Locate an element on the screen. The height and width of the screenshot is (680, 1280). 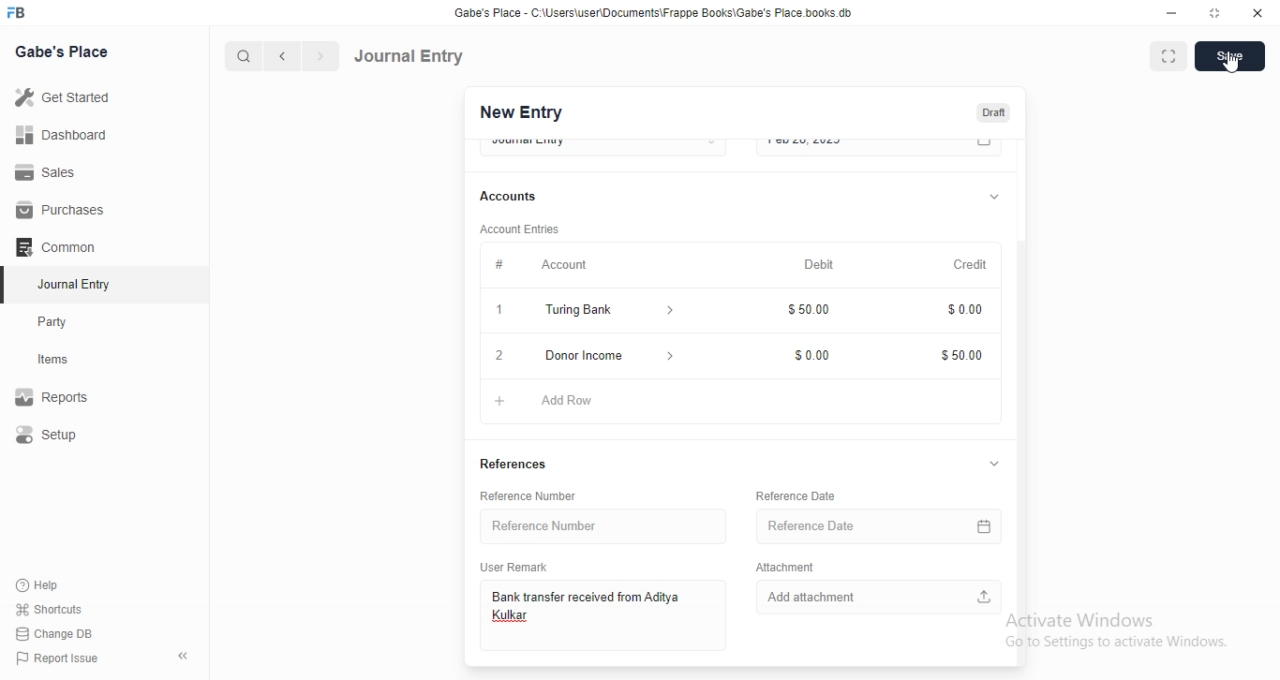
‘Help is located at coordinates (61, 585).